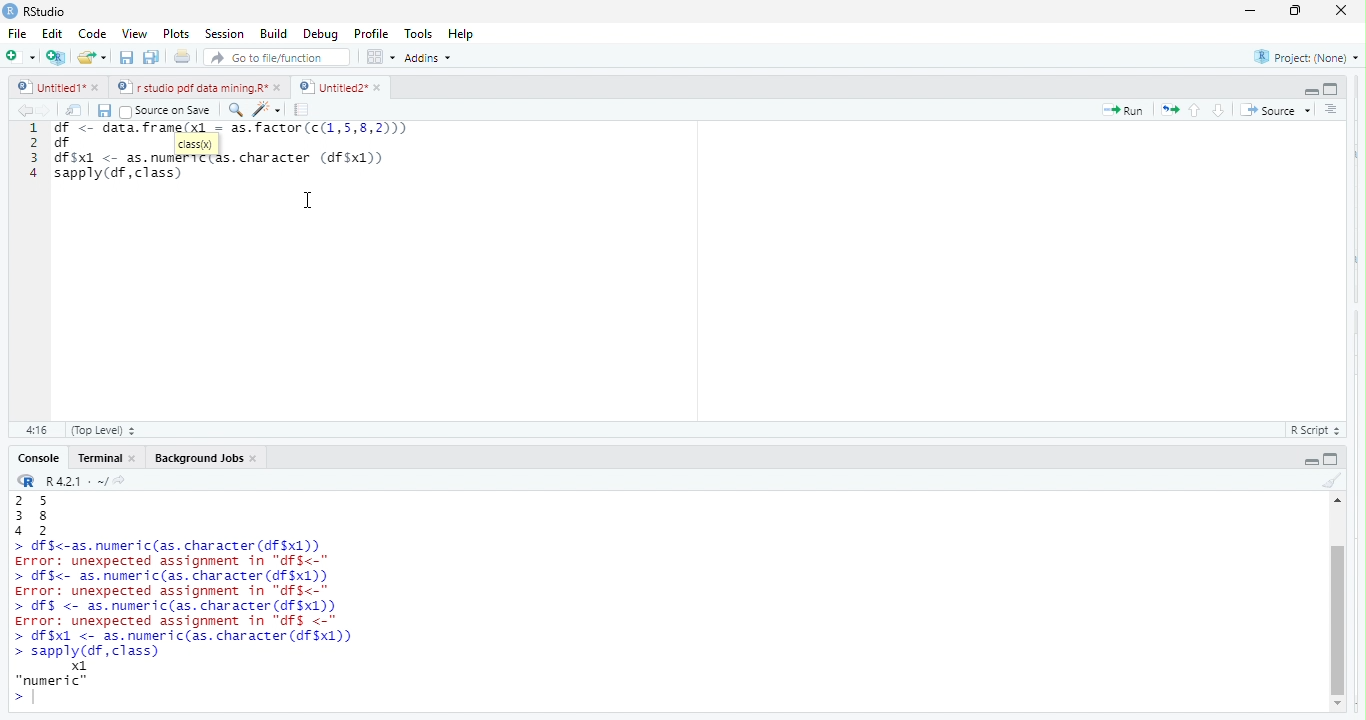  I want to click on Terminal, so click(100, 458).